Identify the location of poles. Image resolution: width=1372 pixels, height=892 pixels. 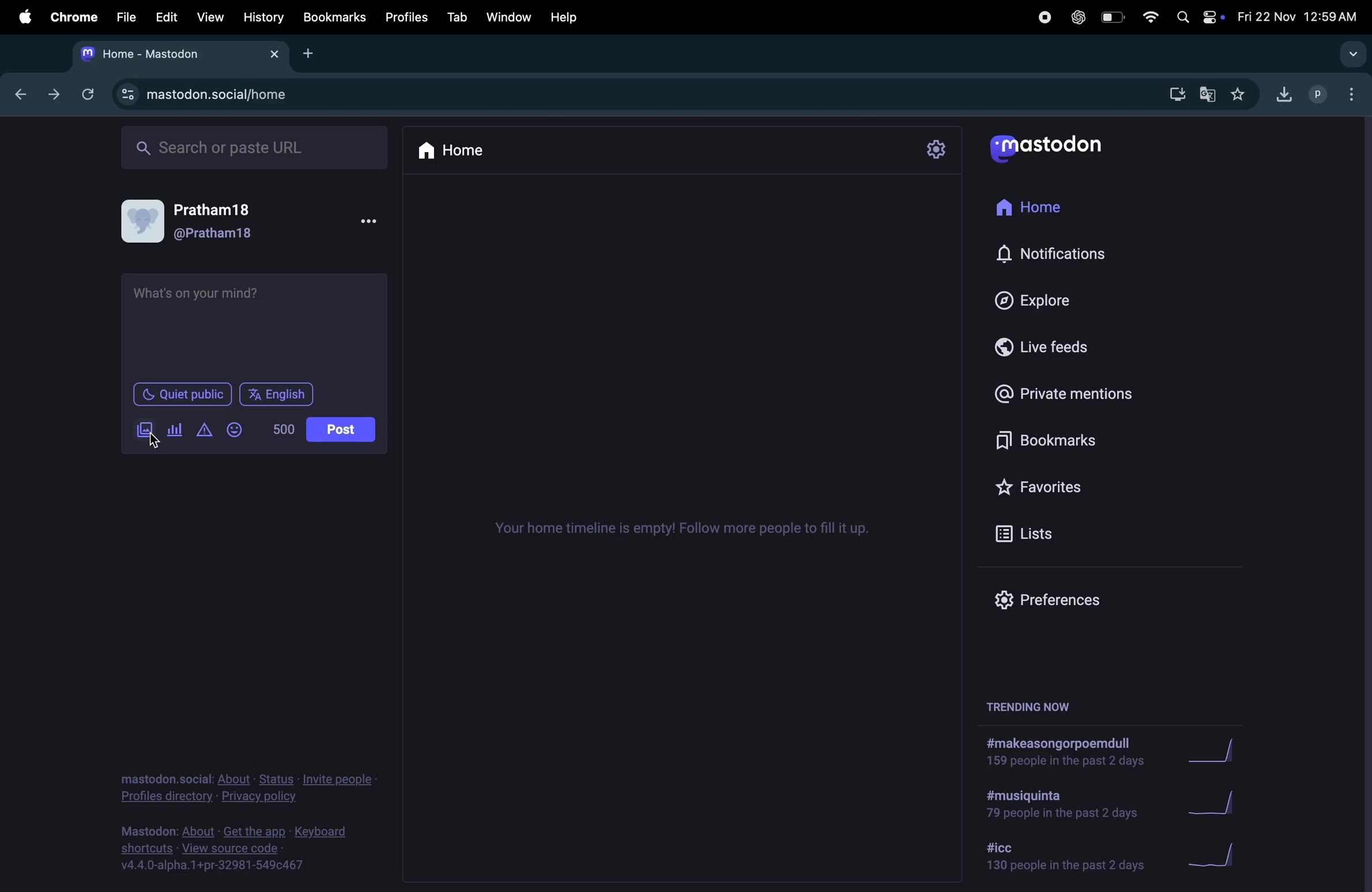
(174, 428).